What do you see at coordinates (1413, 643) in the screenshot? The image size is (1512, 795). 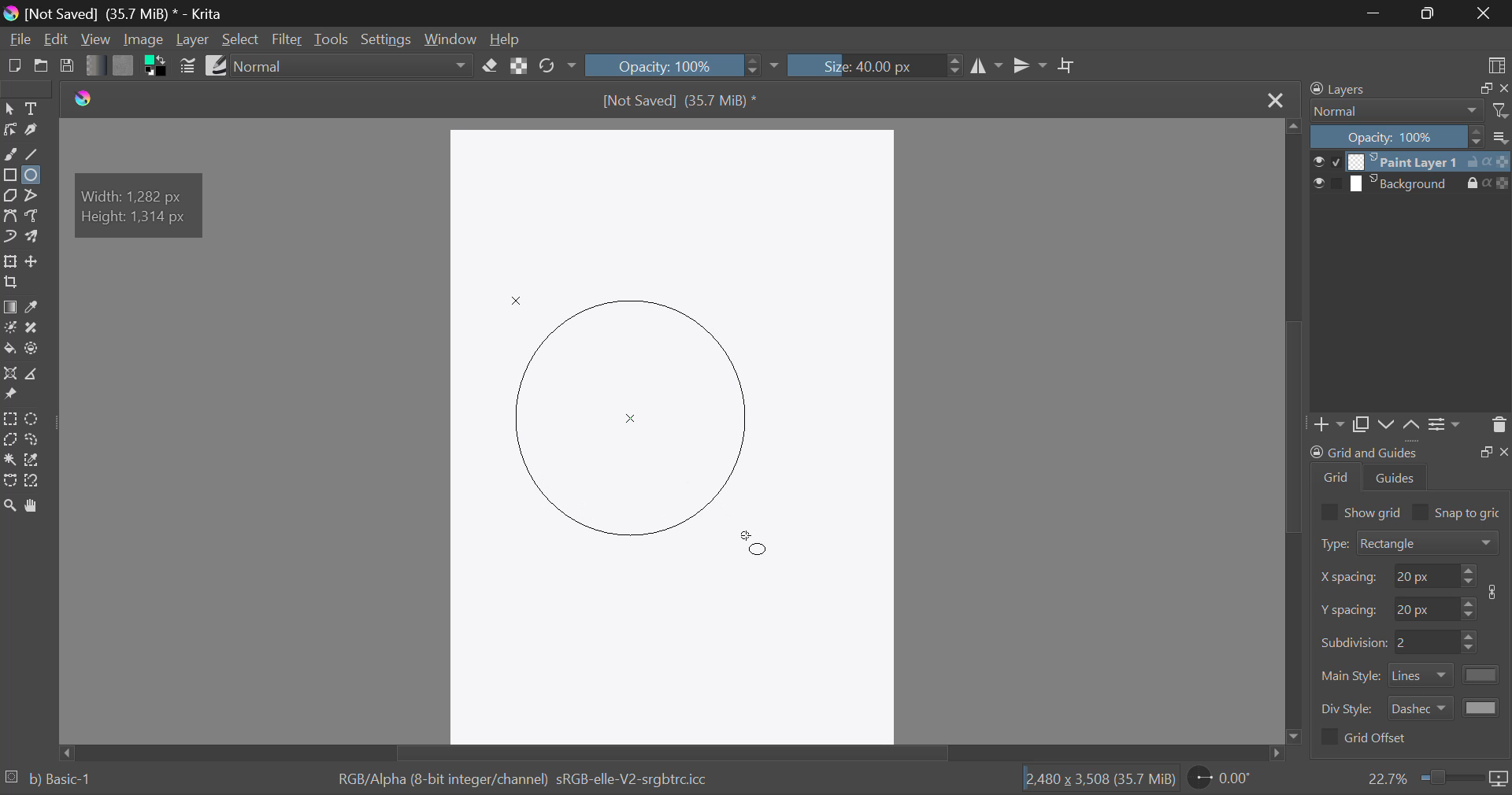 I see `Grid Characteristic Input` at bounding box center [1413, 643].